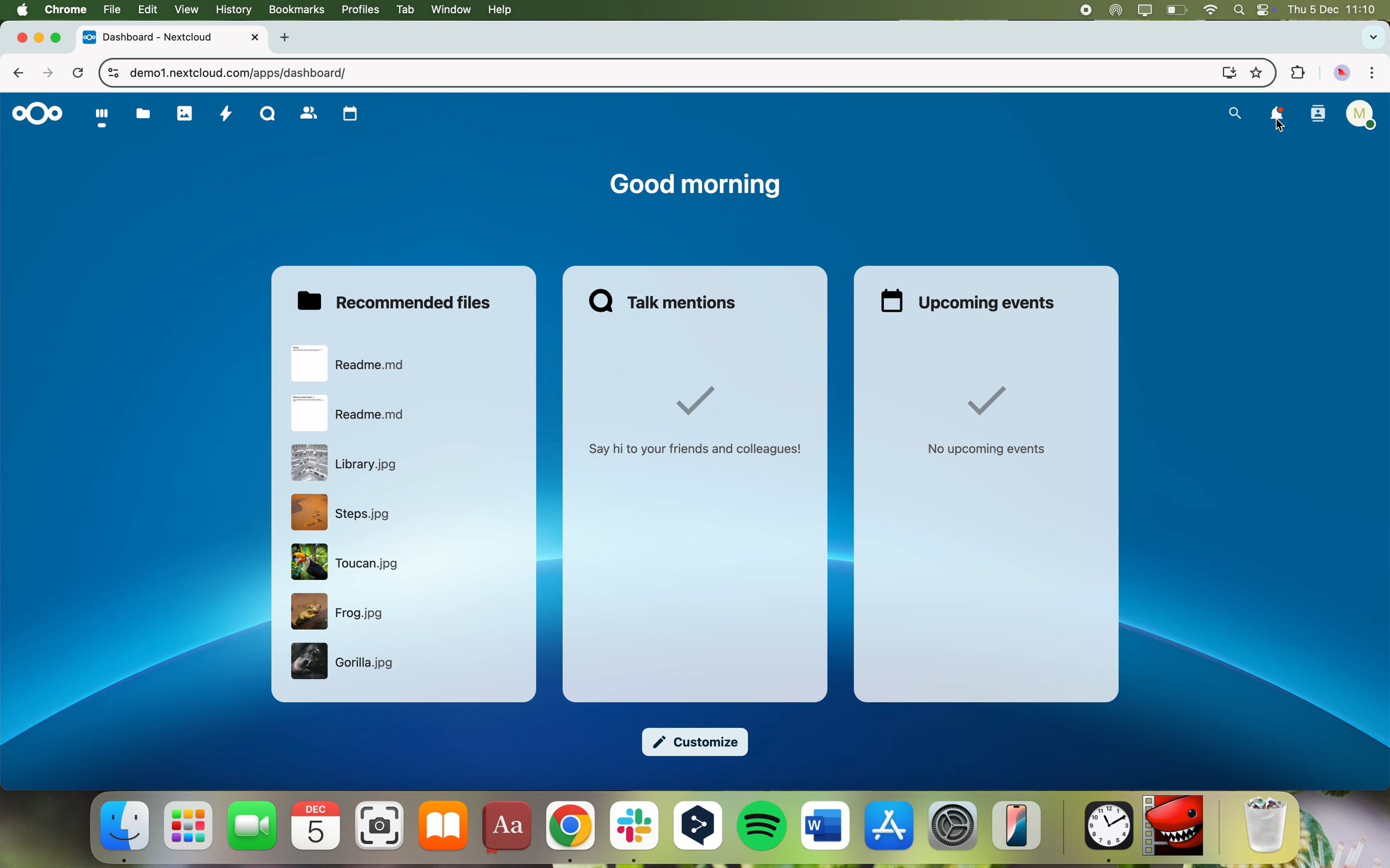 This screenshot has height=868, width=1390. What do you see at coordinates (1225, 72) in the screenshot?
I see `screen` at bounding box center [1225, 72].